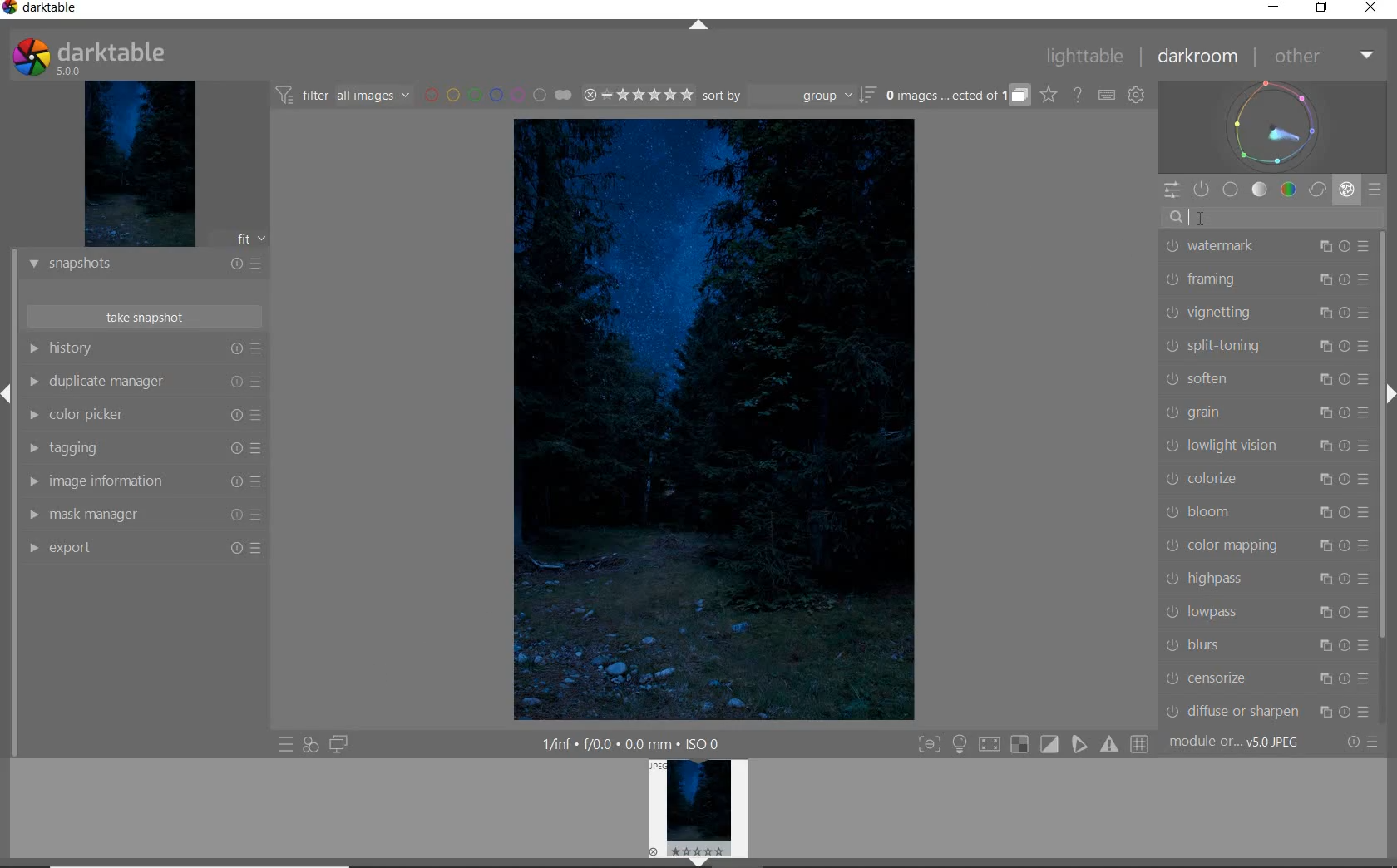 Image resolution: width=1397 pixels, height=868 pixels. What do you see at coordinates (1388, 391) in the screenshot?
I see `Expand/Collapse` at bounding box center [1388, 391].